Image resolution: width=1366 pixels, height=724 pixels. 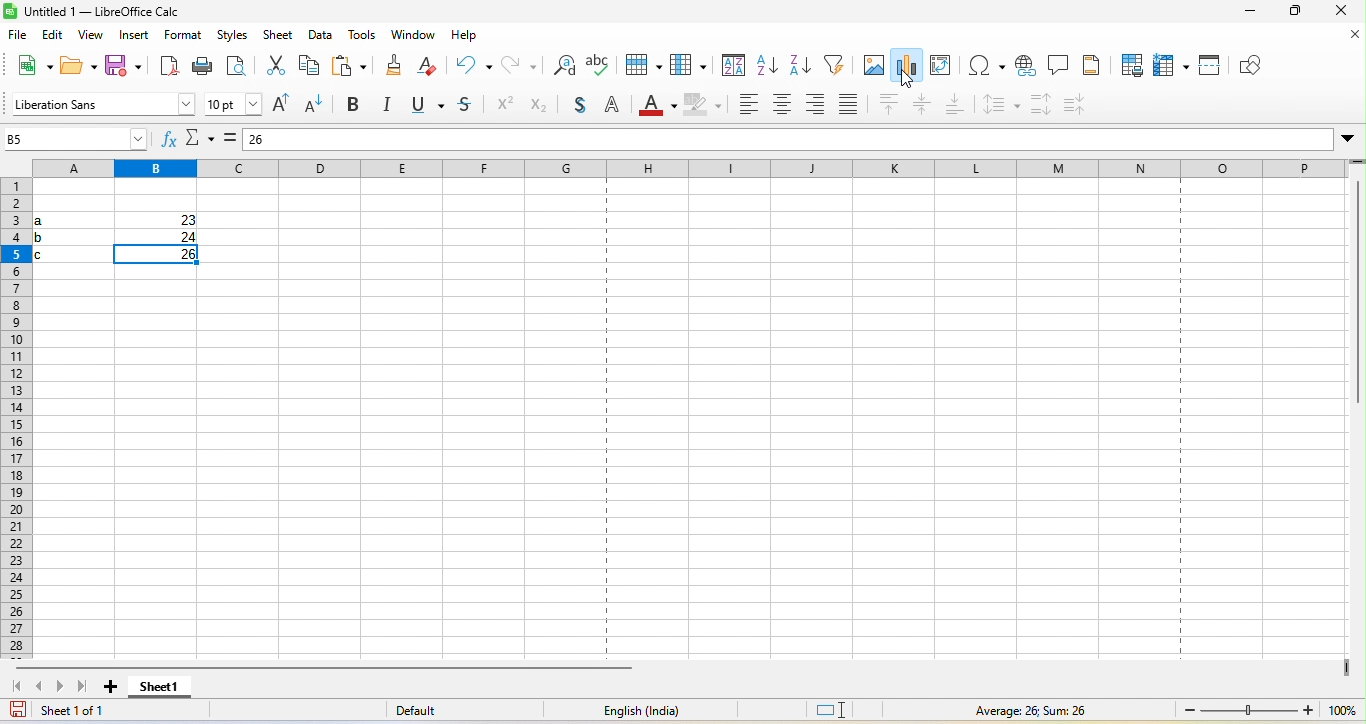 What do you see at coordinates (803, 67) in the screenshot?
I see `sort descending` at bounding box center [803, 67].